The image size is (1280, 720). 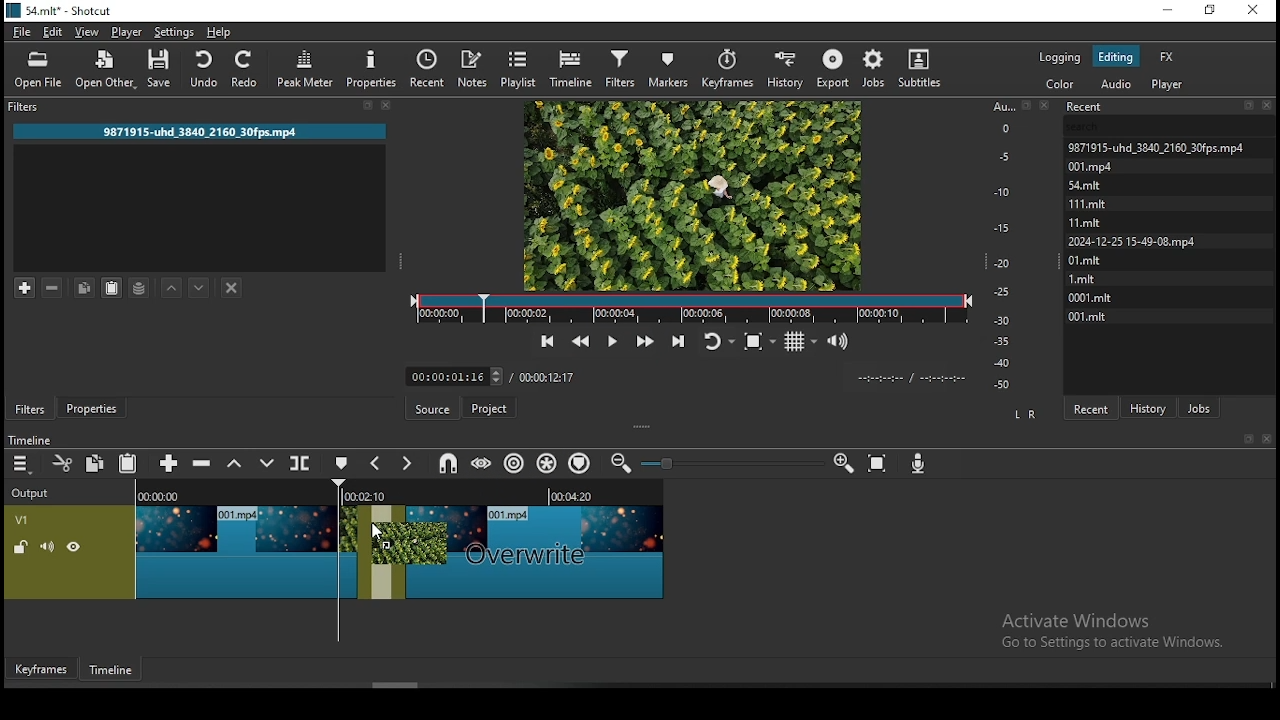 What do you see at coordinates (140, 286) in the screenshot?
I see `save filter set` at bounding box center [140, 286].